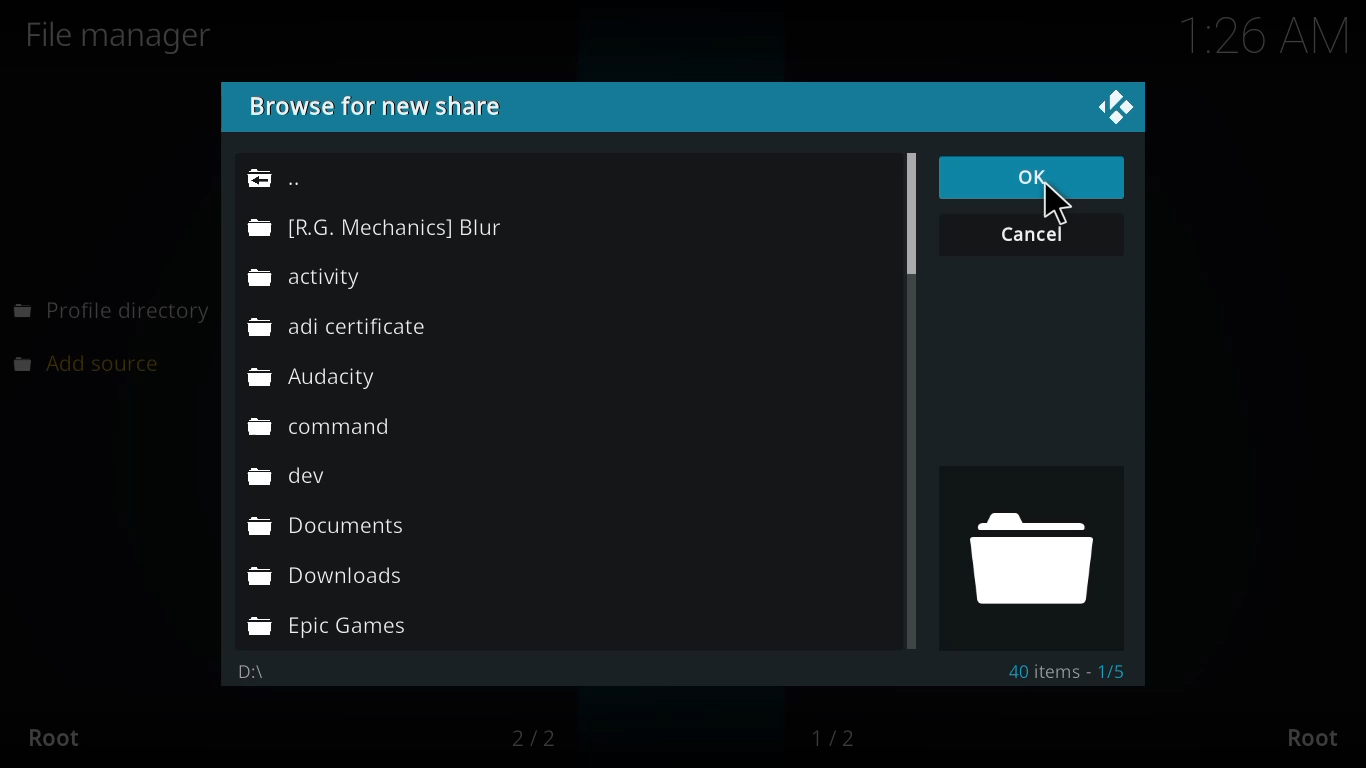  What do you see at coordinates (112, 311) in the screenshot?
I see `profile directory` at bounding box center [112, 311].